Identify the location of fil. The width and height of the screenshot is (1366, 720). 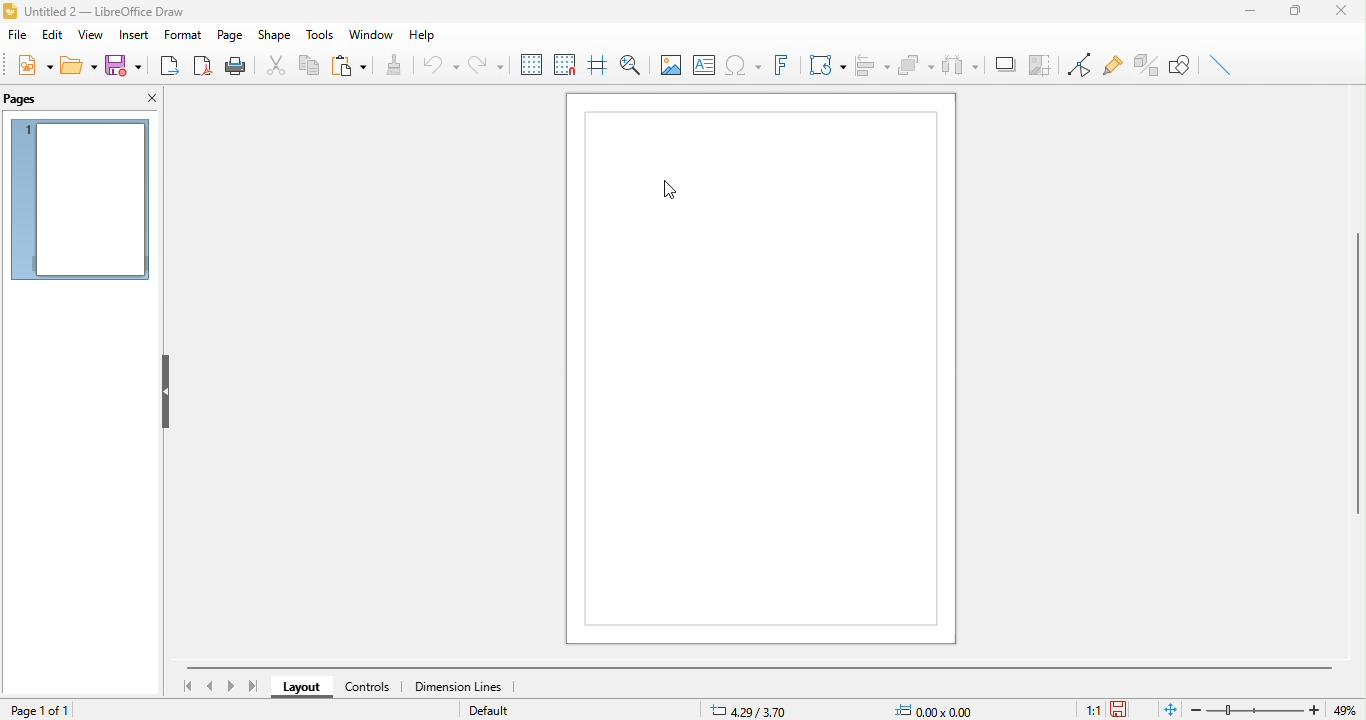
(14, 38).